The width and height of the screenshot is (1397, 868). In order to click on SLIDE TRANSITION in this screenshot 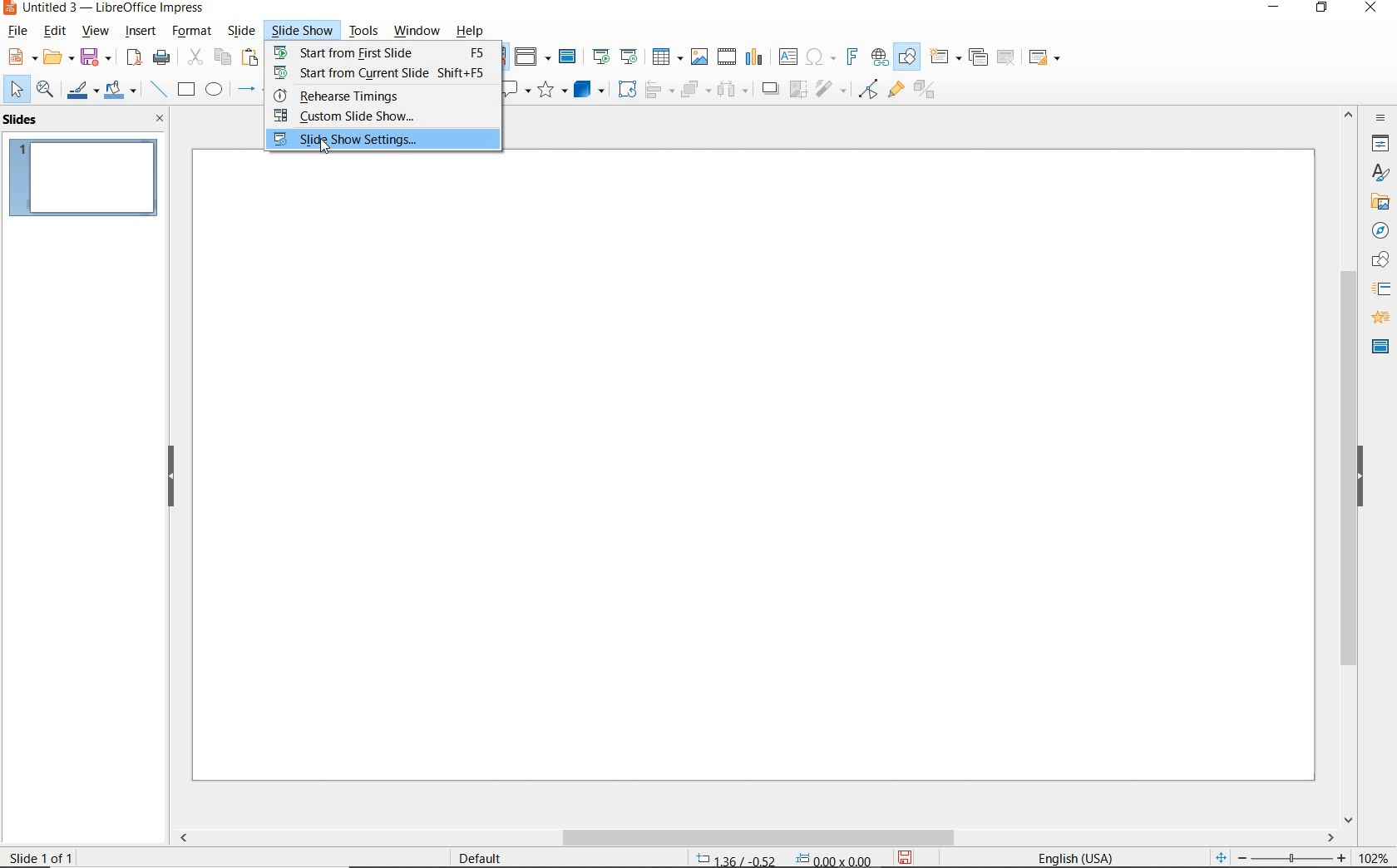, I will do `click(1378, 290)`.